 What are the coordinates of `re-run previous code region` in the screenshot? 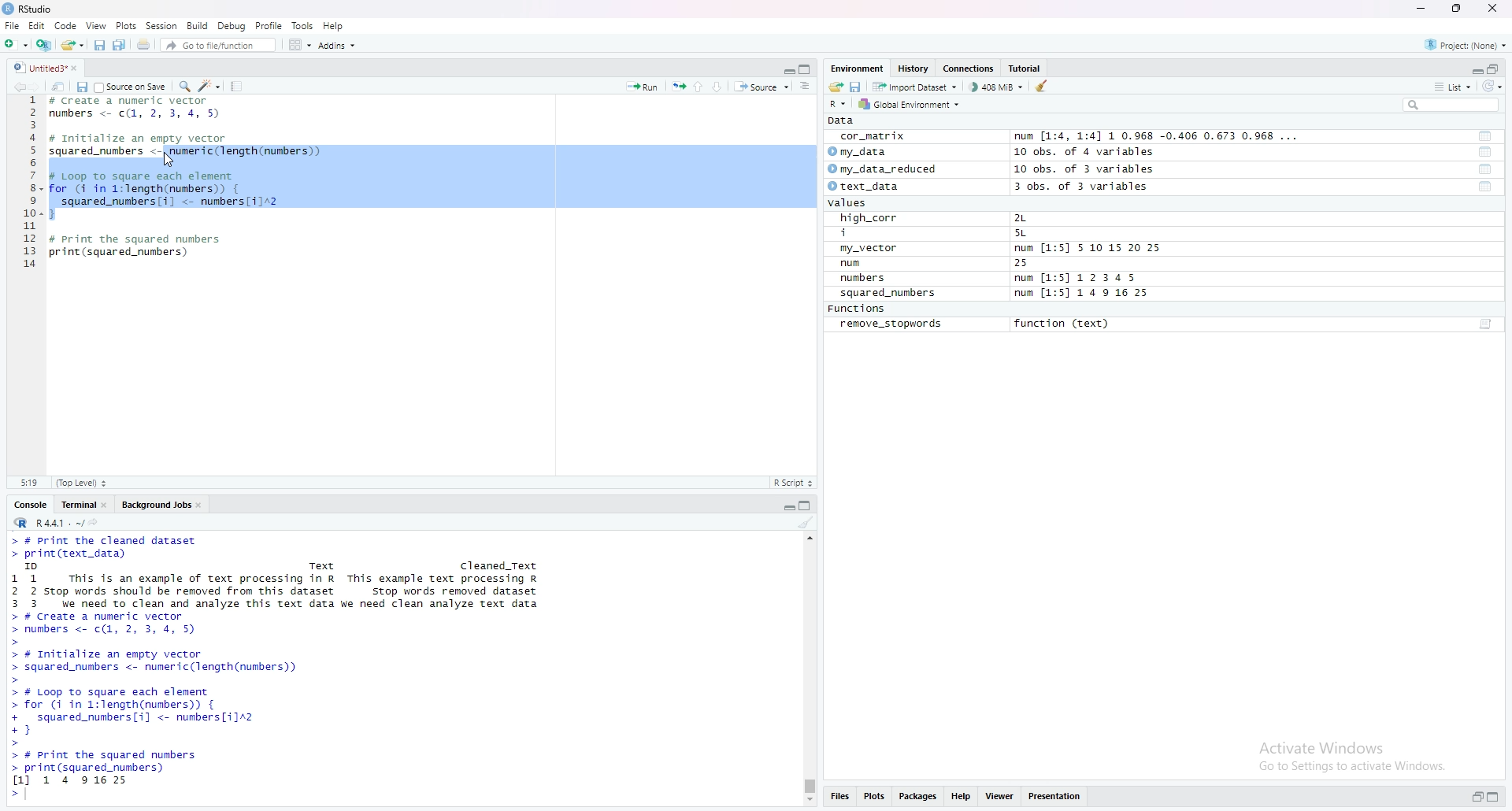 It's located at (678, 85).